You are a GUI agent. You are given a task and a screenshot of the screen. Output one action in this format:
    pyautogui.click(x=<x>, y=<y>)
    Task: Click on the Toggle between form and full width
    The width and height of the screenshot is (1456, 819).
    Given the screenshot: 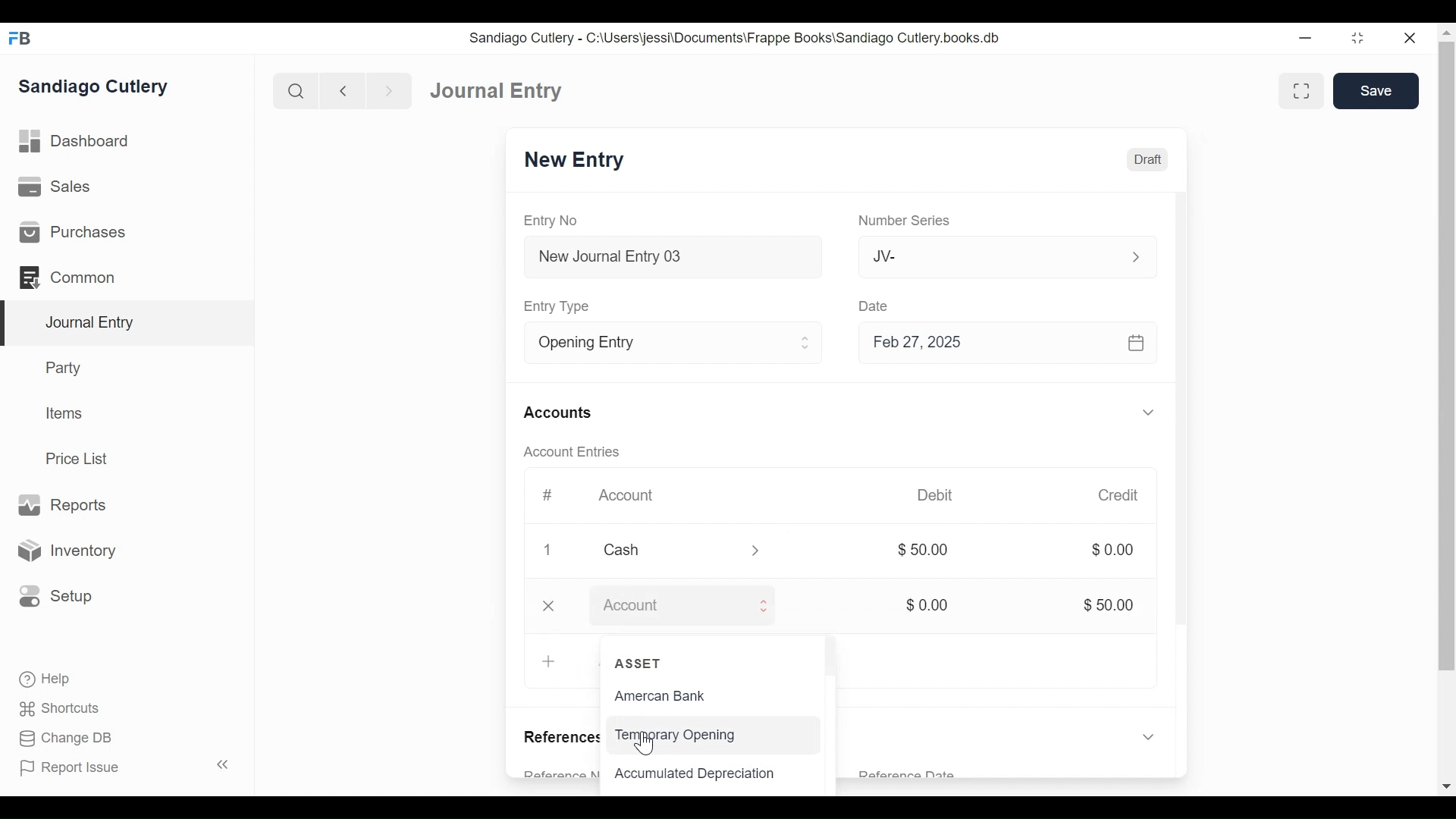 What is the action you would take?
    pyautogui.click(x=1298, y=90)
    